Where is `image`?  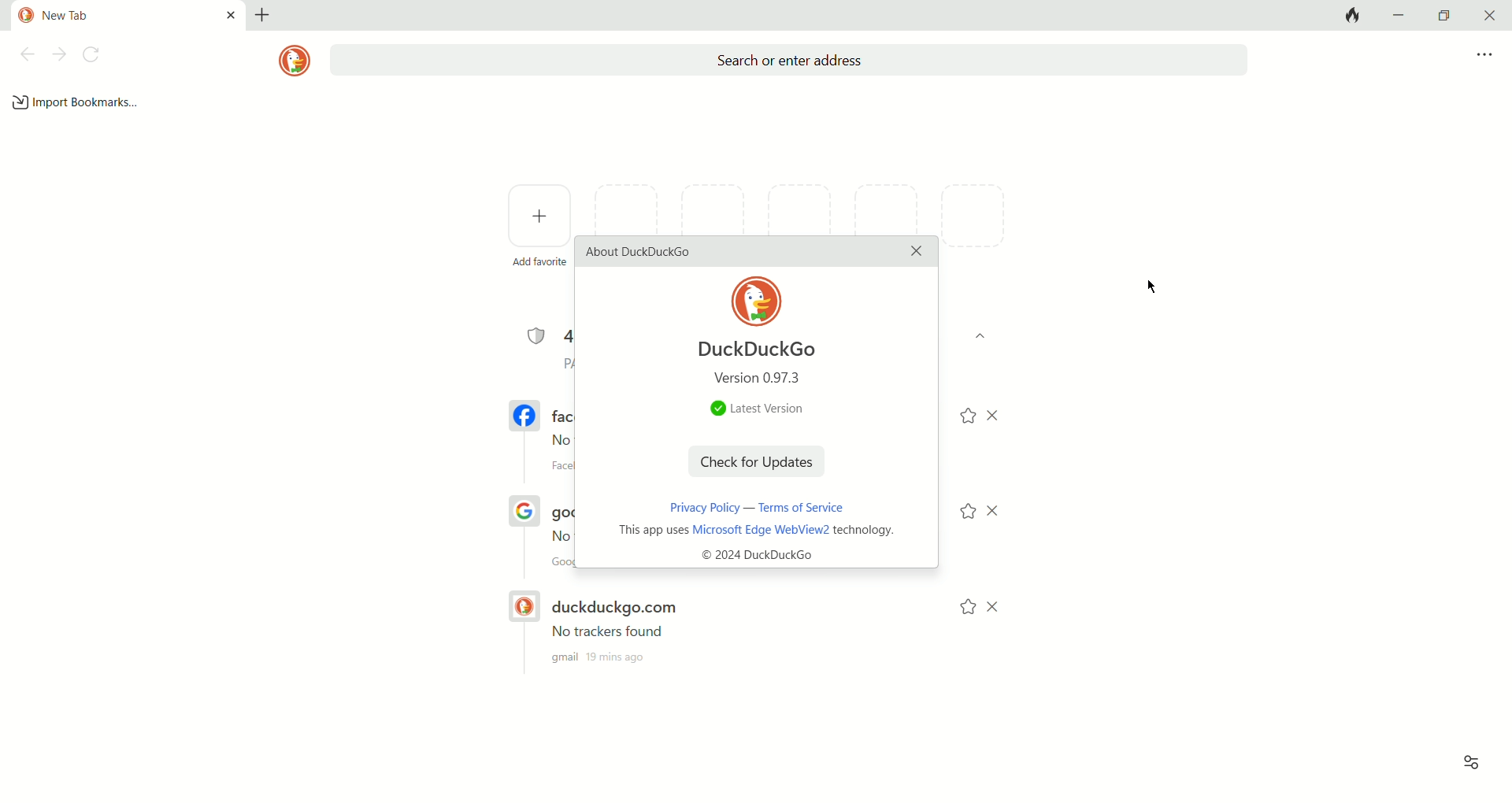 image is located at coordinates (758, 301).